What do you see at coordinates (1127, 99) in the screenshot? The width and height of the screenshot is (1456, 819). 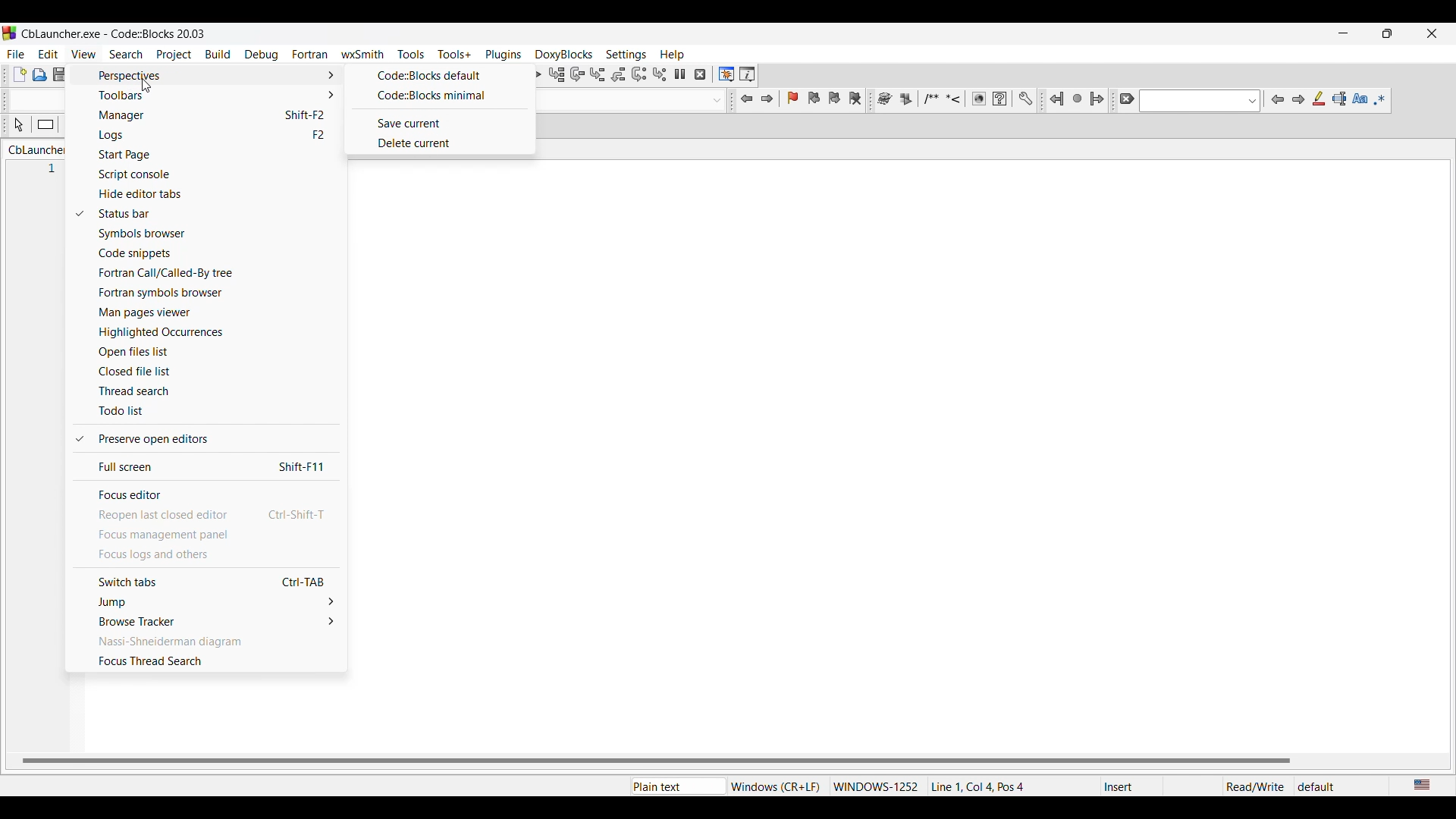 I see `Clear` at bounding box center [1127, 99].